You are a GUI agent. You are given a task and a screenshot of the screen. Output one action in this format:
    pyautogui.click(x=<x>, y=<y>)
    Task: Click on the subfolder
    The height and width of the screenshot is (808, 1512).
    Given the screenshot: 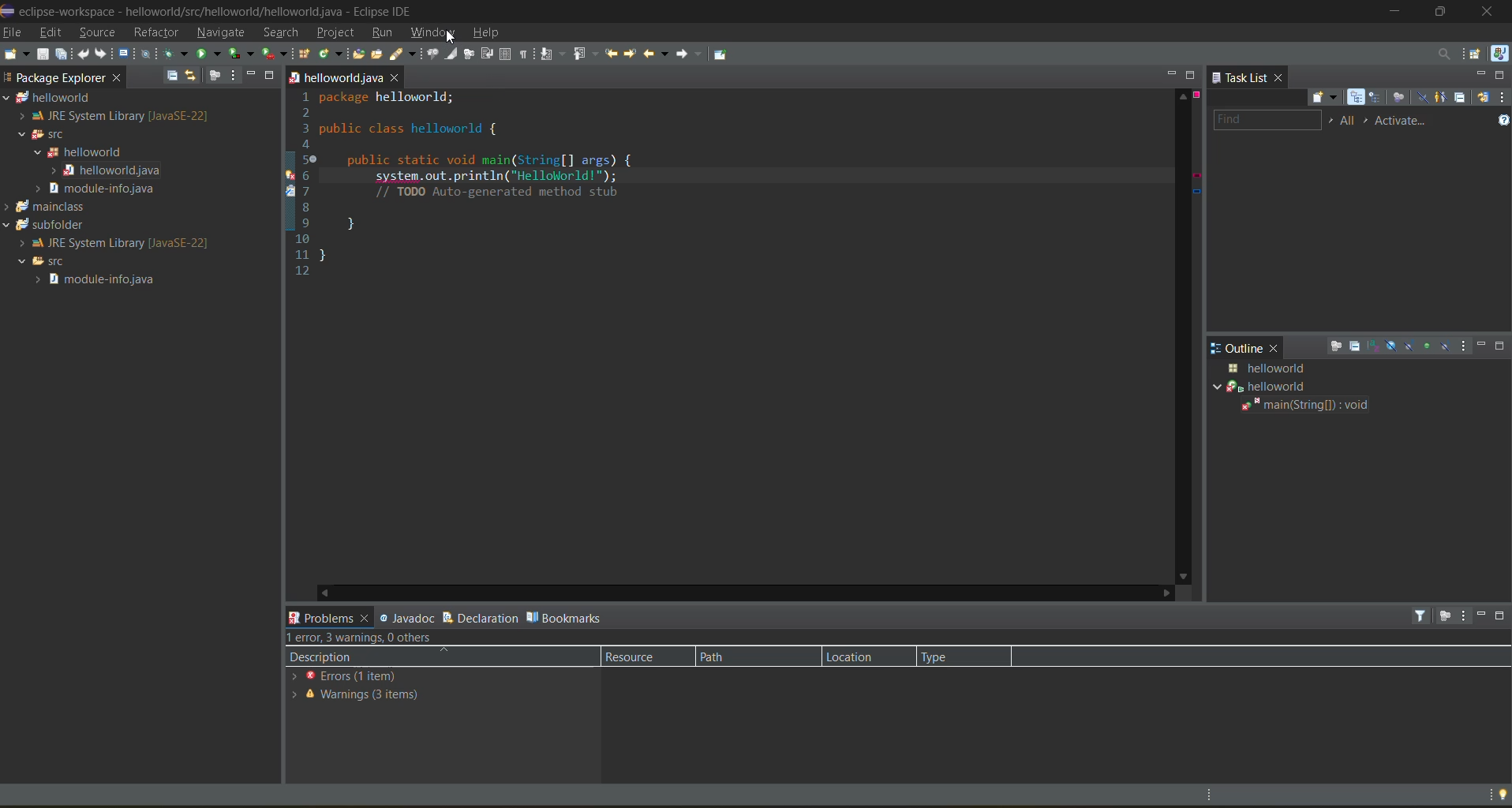 What is the action you would take?
    pyautogui.click(x=77, y=224)
    